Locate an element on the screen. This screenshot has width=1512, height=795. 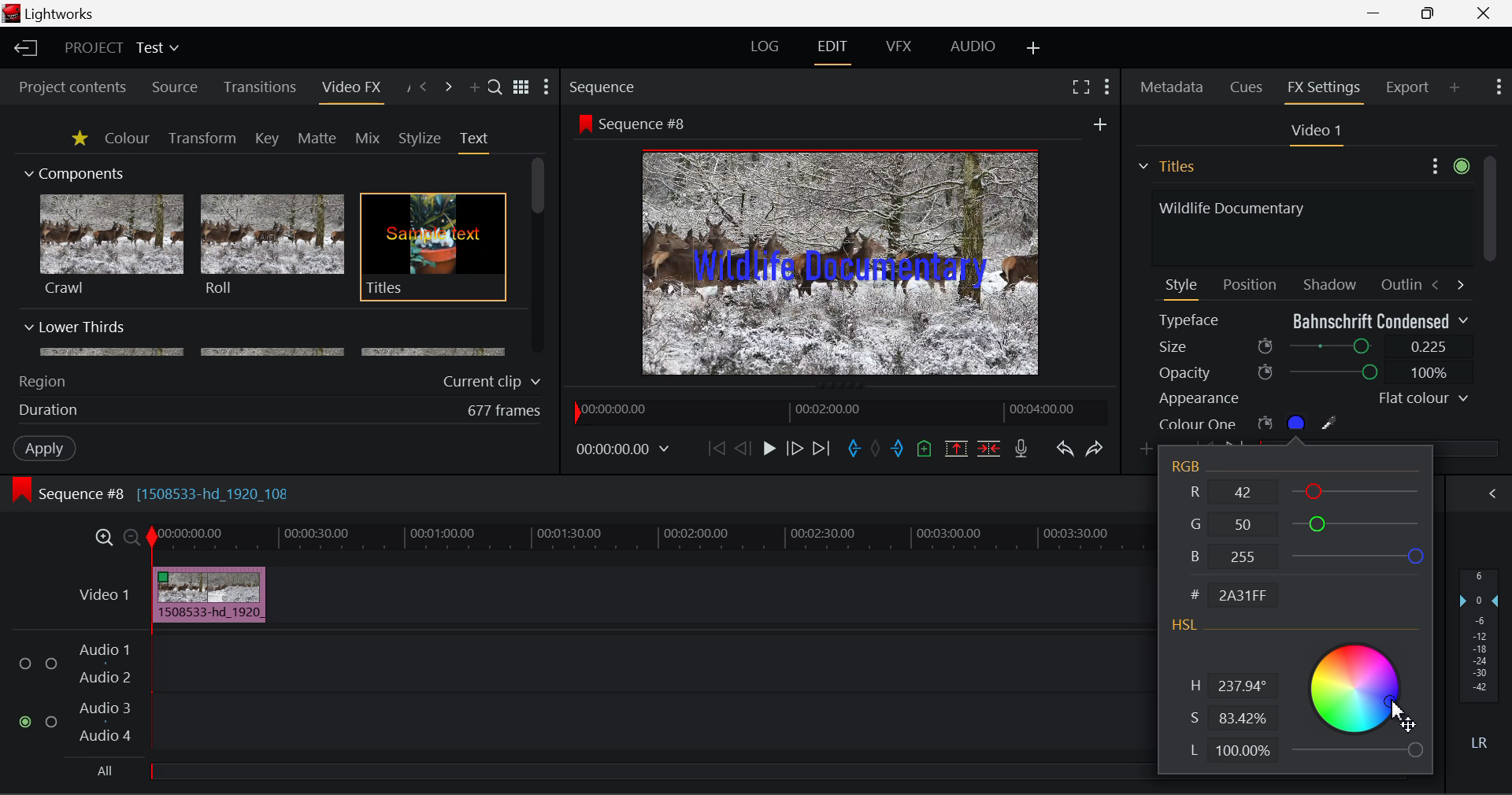
Redo is located at coordinates (1096, 449).